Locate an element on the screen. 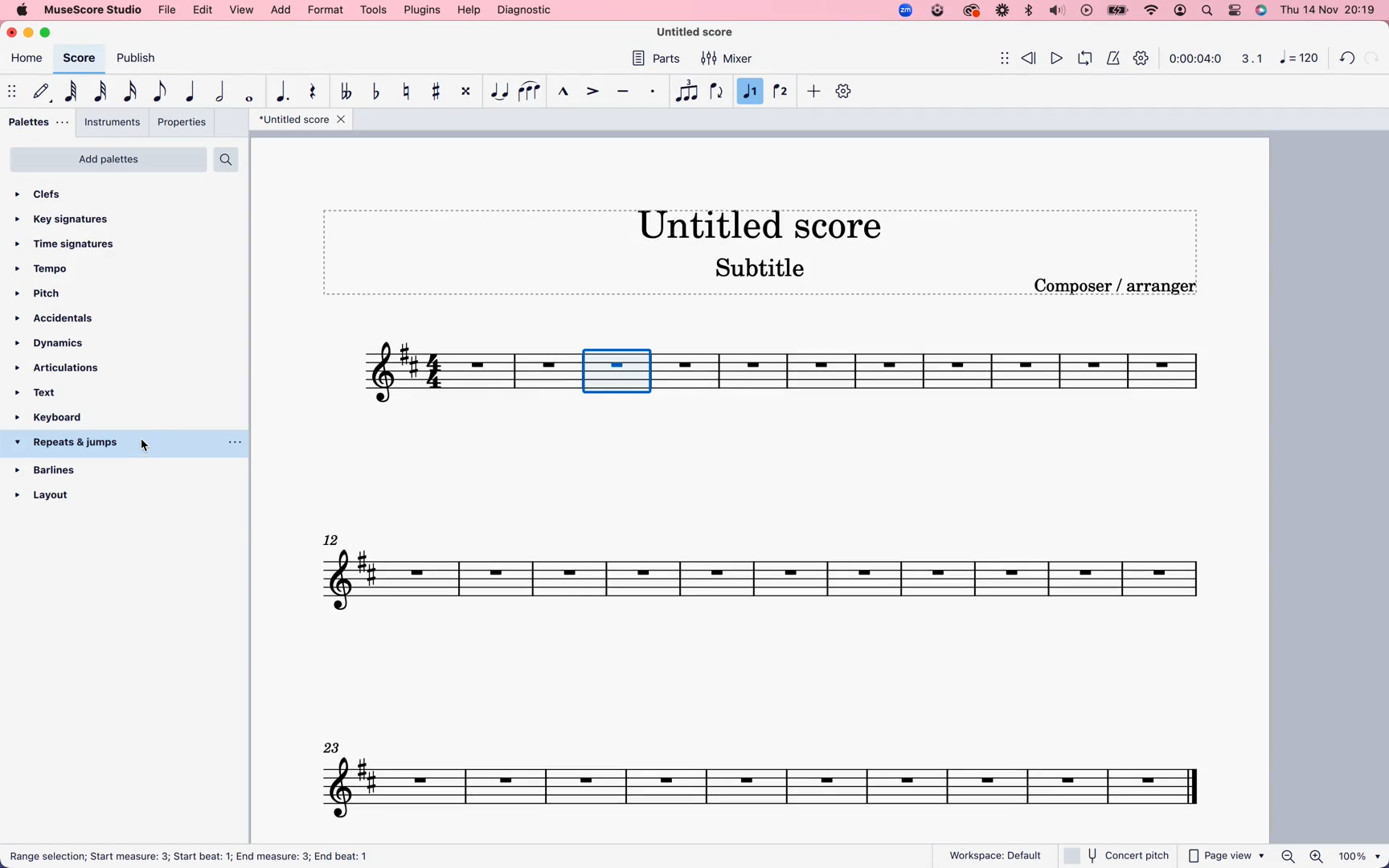  scale is located at coordinates (1249, 59).